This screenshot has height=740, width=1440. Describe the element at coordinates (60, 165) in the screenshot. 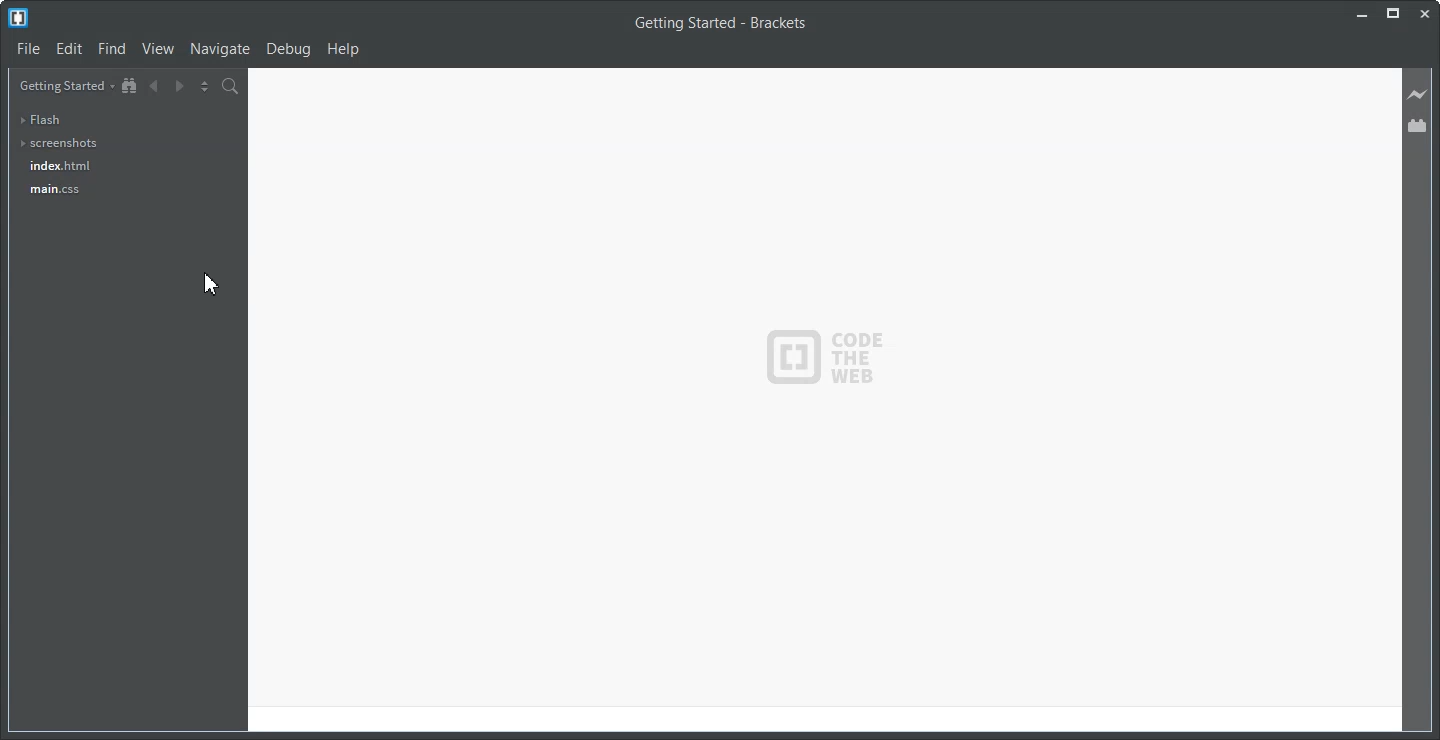

I see `index.html` at that location.